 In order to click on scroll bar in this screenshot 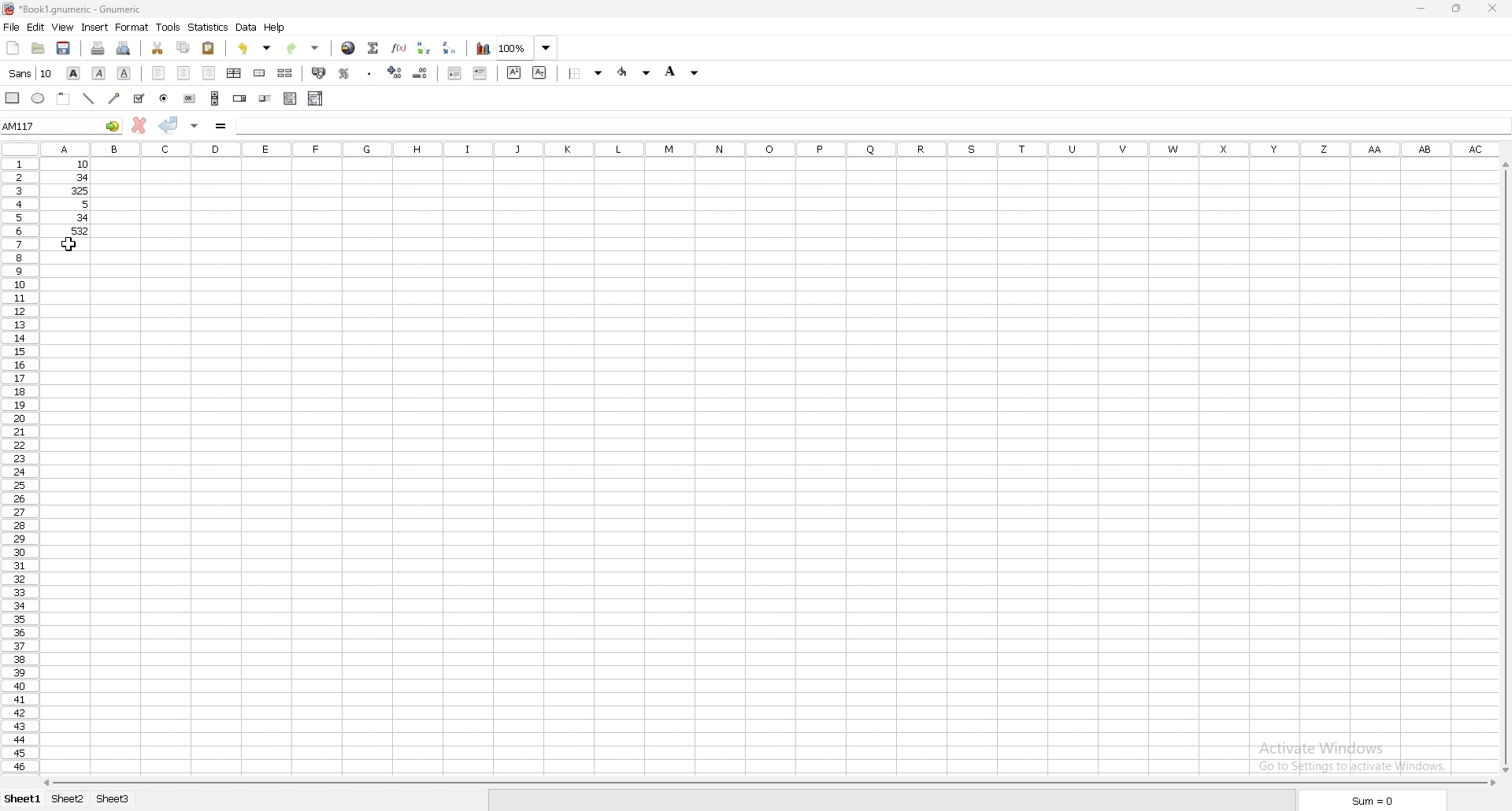, I will do `click(215, 98)`.